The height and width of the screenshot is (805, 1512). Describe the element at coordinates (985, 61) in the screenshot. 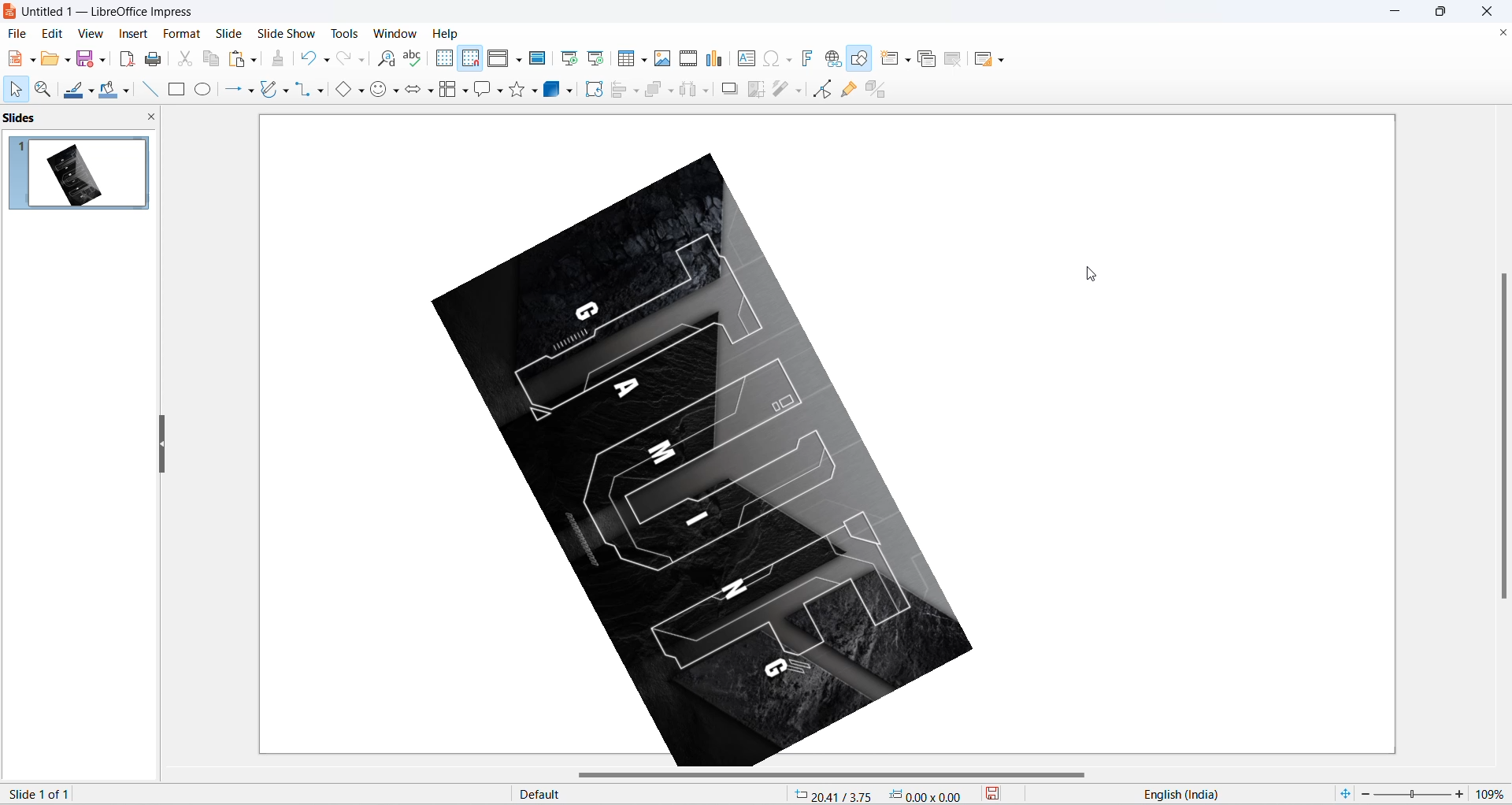

I see `slide layout icon` at that location.